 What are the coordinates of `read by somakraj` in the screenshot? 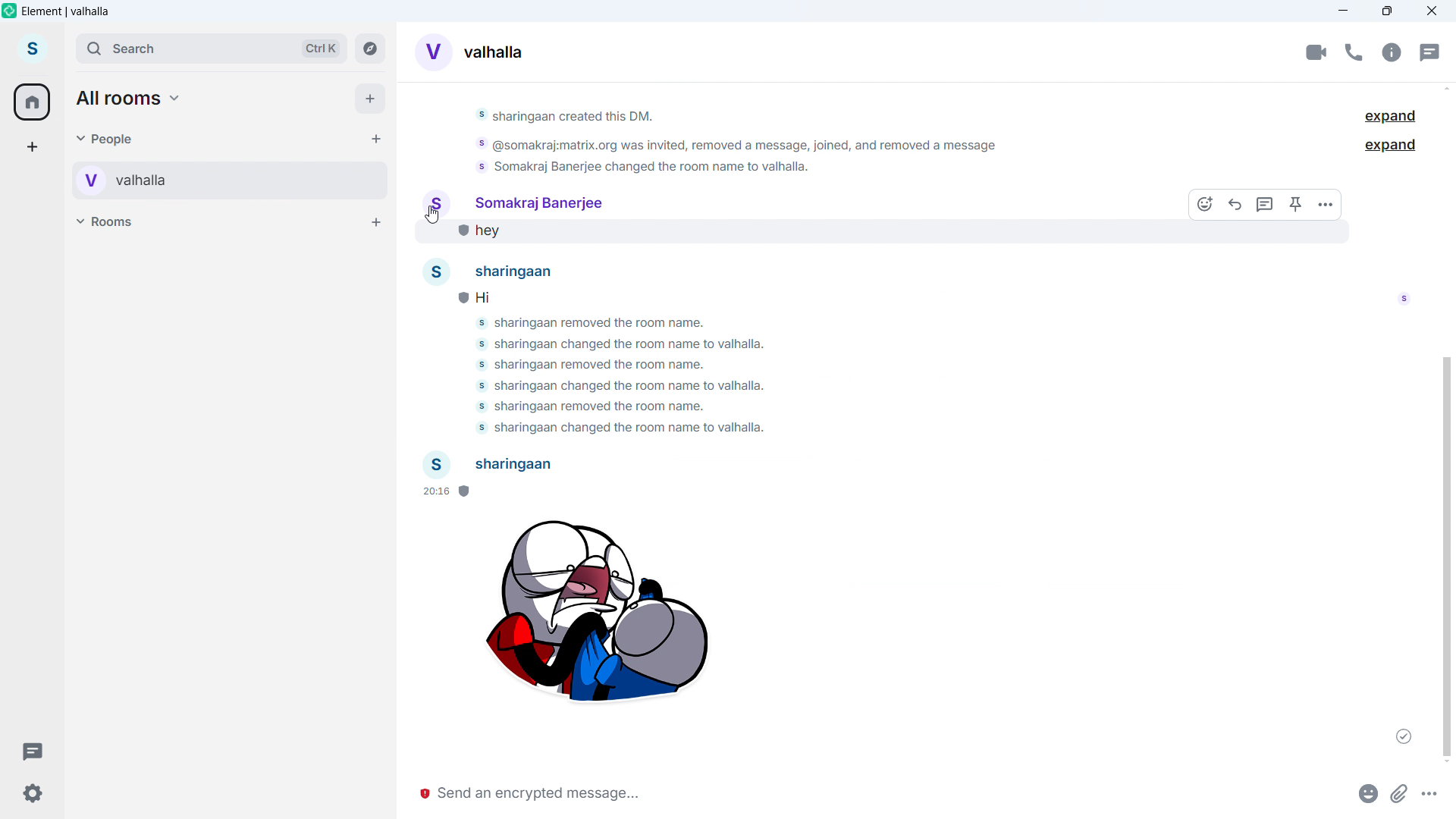 It's located at (1404, 303).